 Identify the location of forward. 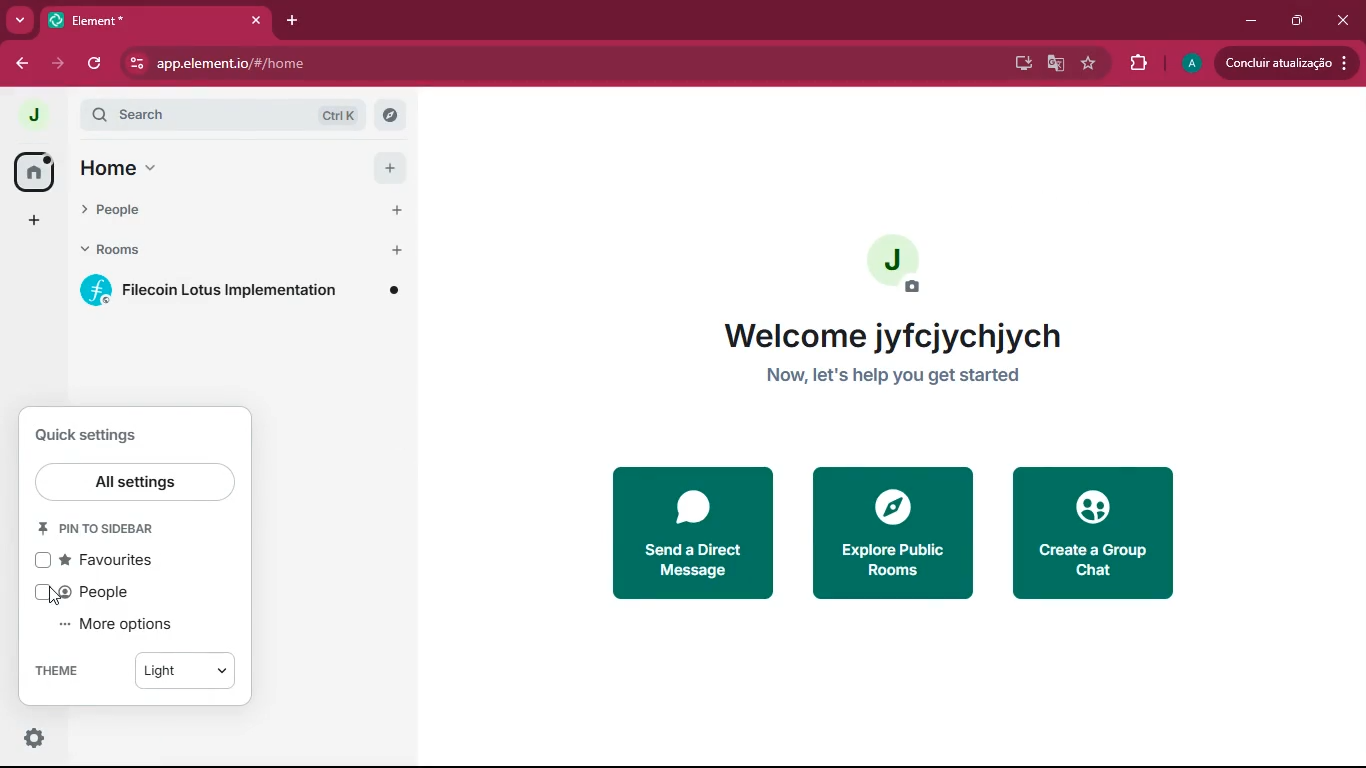
(55, 65).